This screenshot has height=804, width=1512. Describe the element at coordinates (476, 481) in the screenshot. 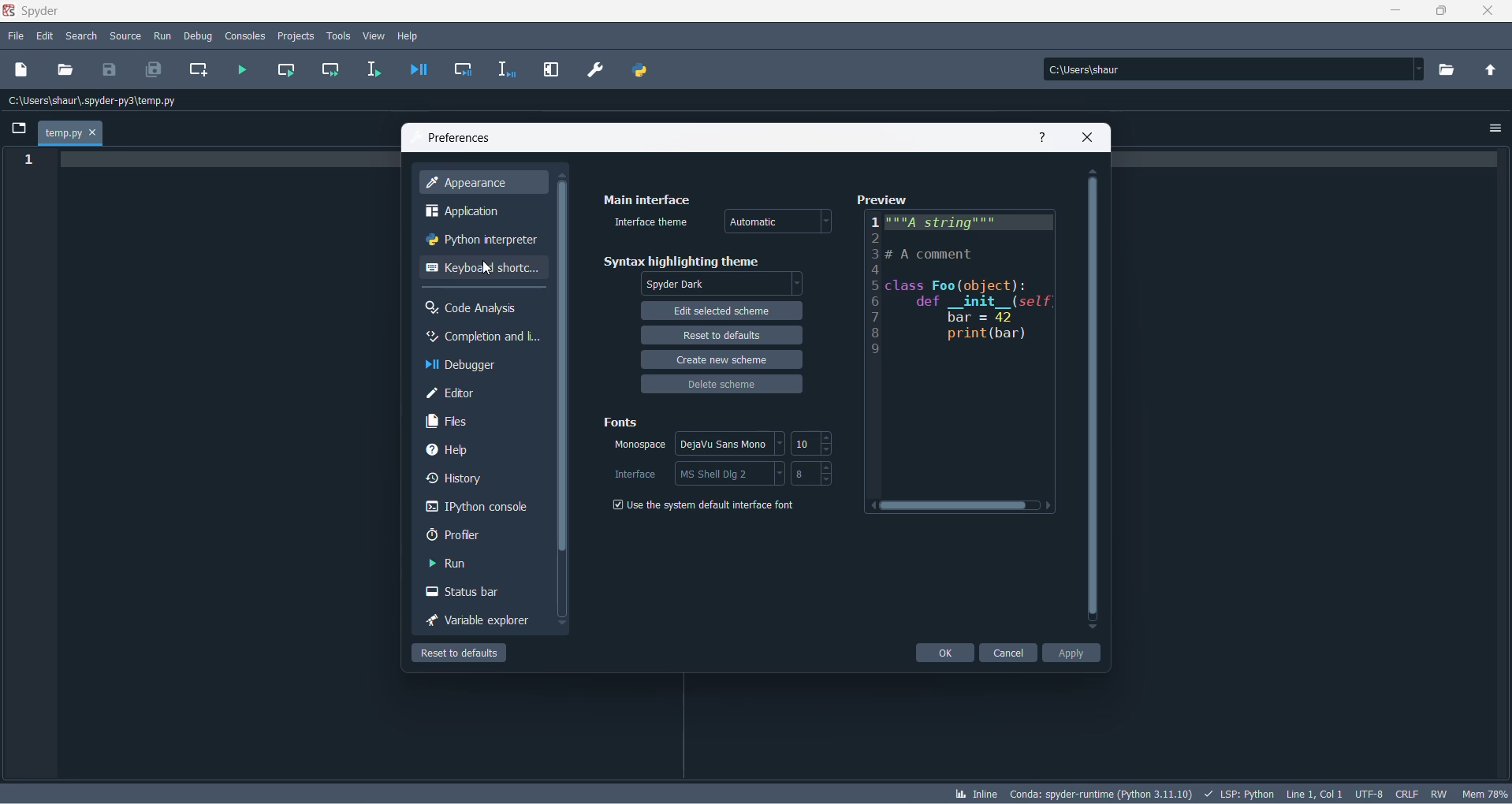

I see `history` at that location.